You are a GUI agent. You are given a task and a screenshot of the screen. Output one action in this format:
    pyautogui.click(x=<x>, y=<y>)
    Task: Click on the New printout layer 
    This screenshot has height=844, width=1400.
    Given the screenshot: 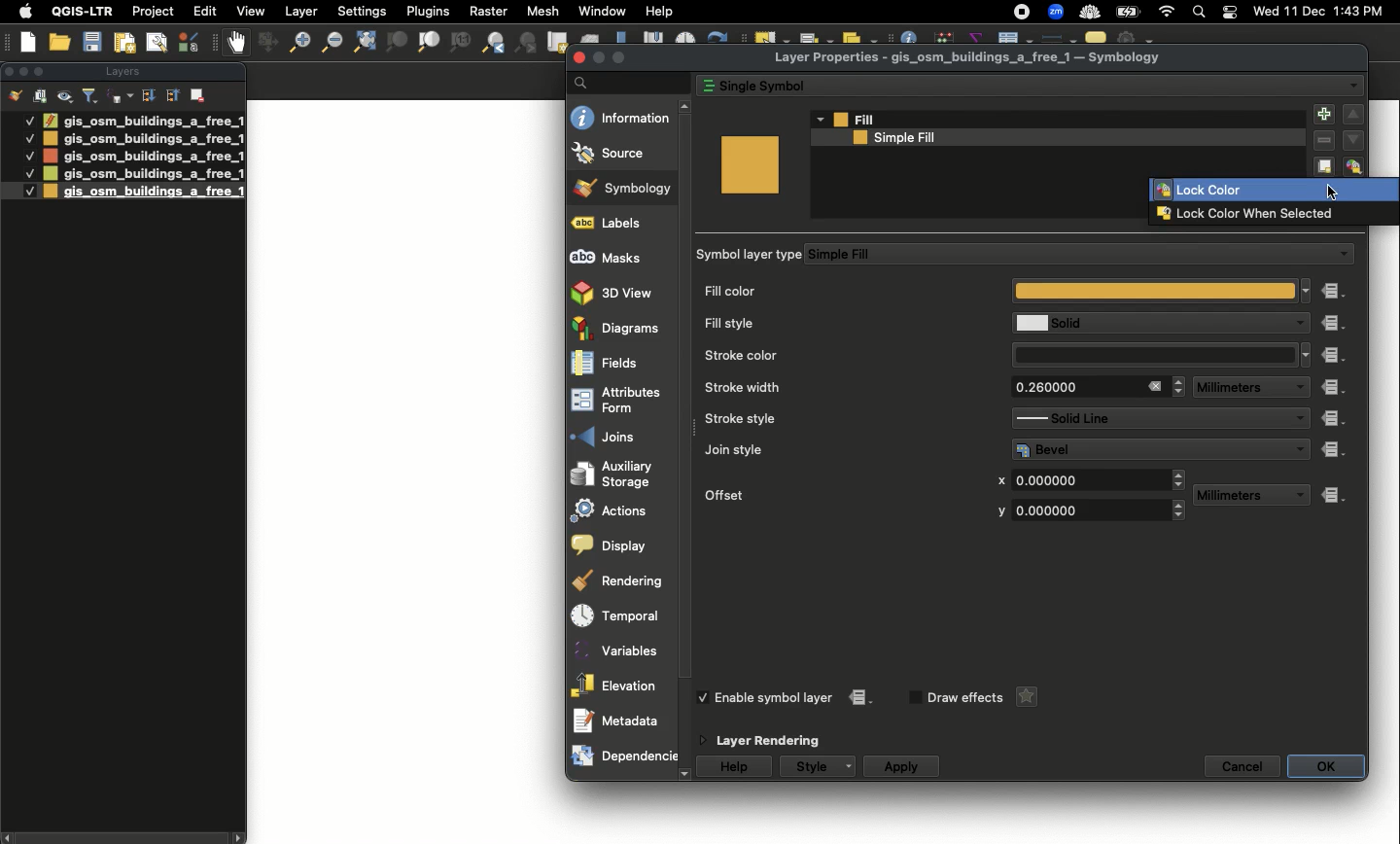 What is the action you would take?
    pyautogui.click(x=124, y=43)
    